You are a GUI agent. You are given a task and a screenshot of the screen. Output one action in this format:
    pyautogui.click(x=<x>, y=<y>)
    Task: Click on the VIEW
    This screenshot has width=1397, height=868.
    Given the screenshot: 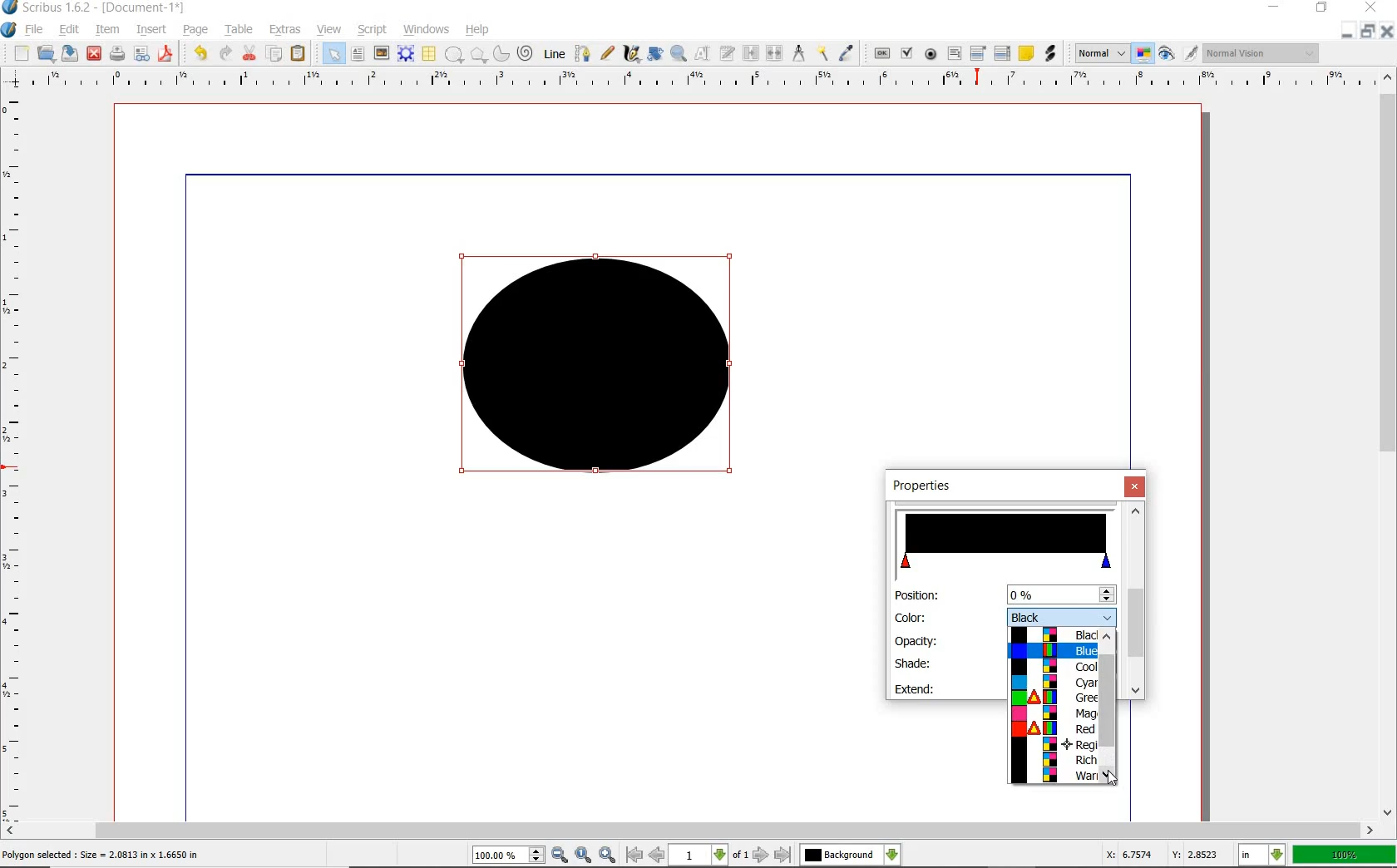 What is the action you would take?
    pyautogui.click(x=329, y=28)
    